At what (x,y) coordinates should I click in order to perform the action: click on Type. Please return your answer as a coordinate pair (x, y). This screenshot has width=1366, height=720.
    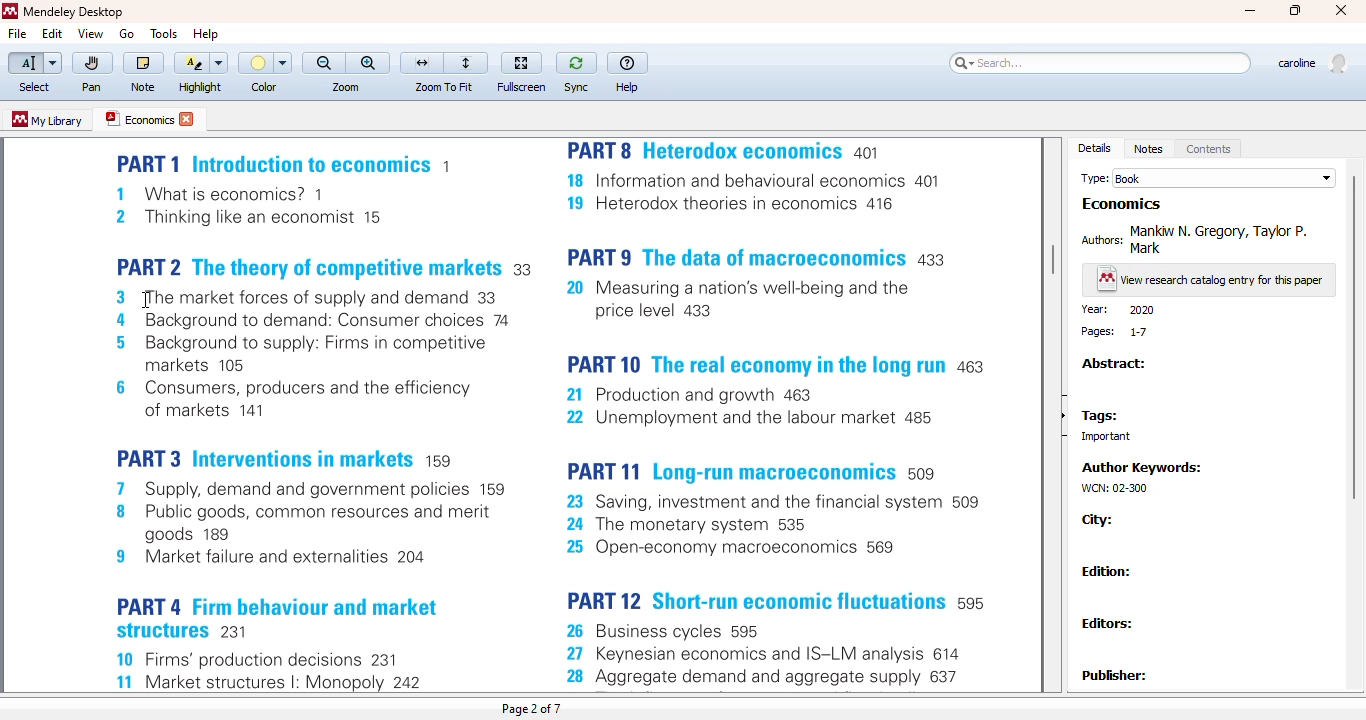
    Looking at the image, I should click on (1092, 176).